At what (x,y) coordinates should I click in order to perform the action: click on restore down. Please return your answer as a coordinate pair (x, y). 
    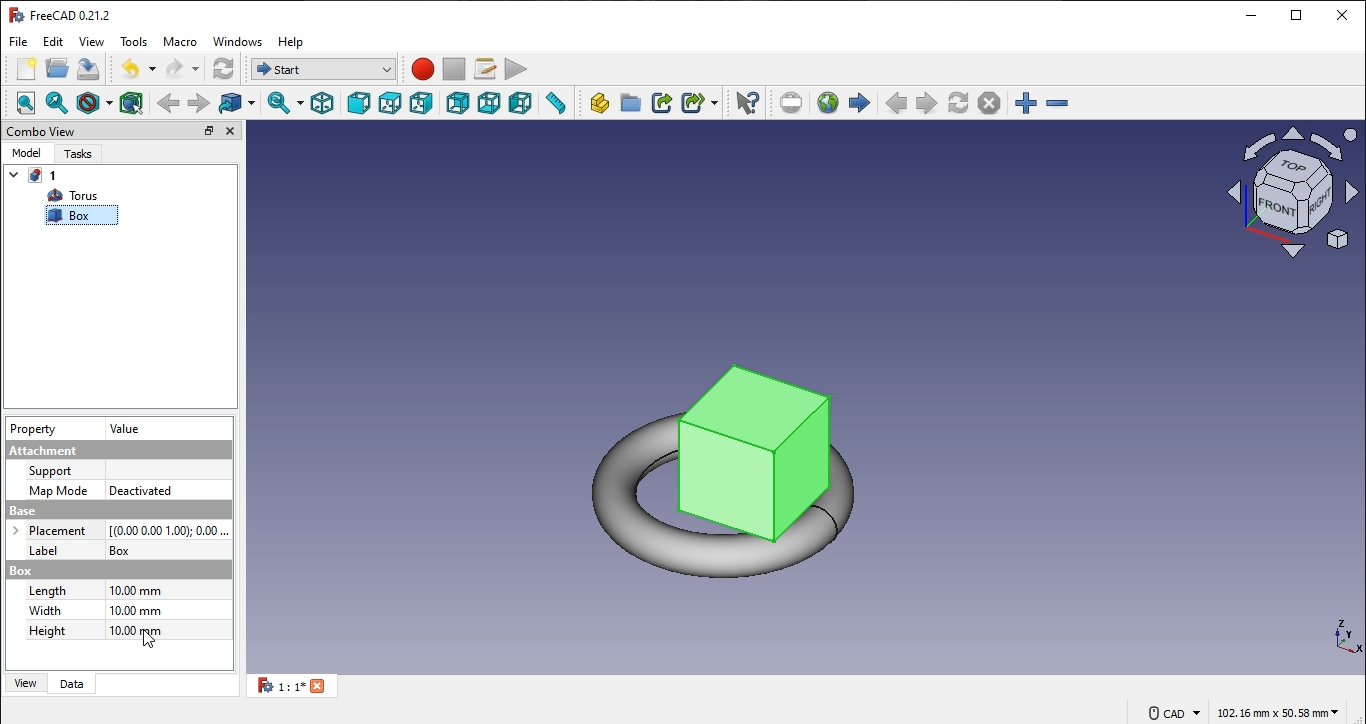
    Looking at the image, I should click on (1298, 15).